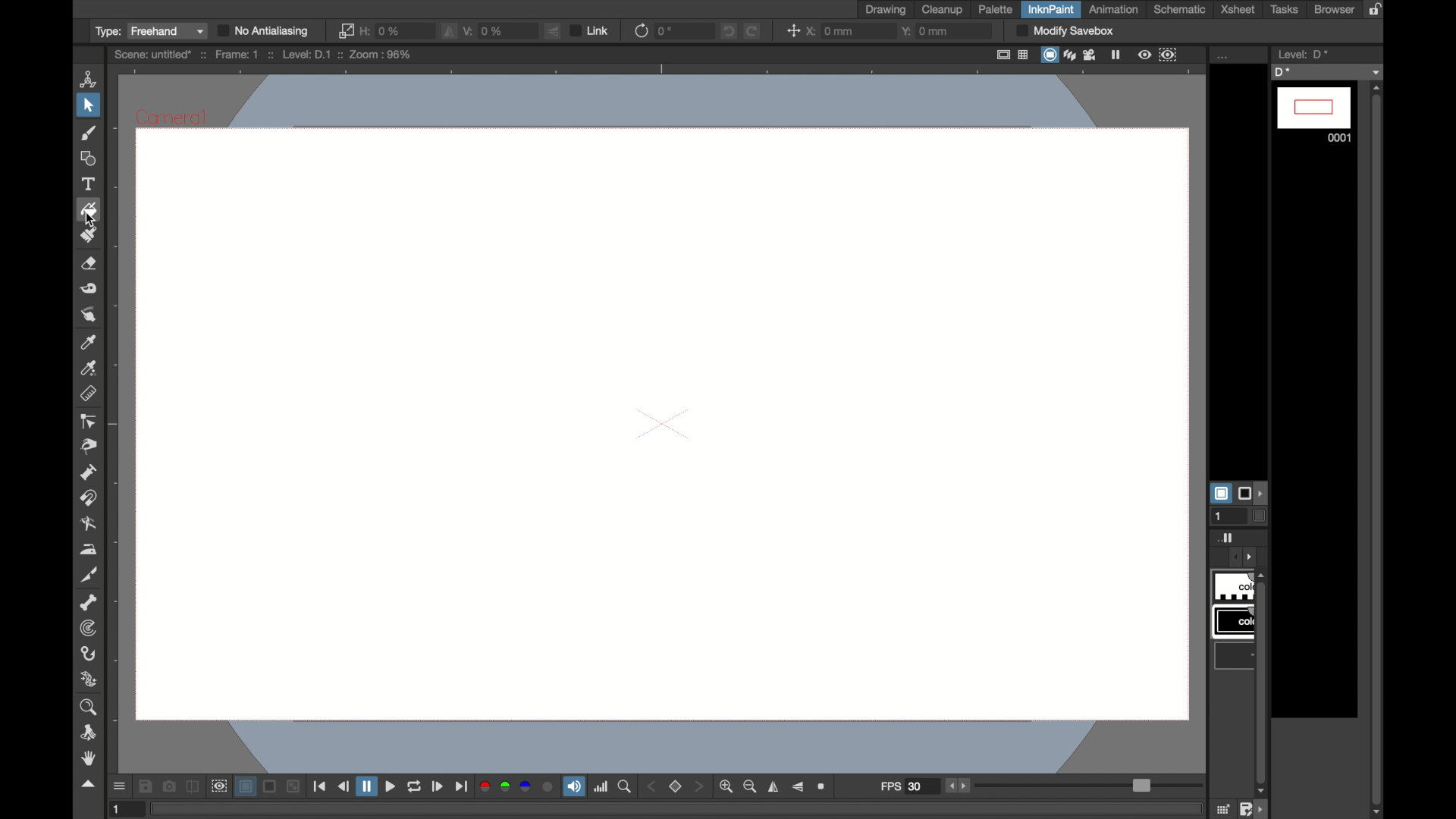 The height and width of the screenshot is (819, 1456). What do you see at coordinates (1301, 53) in the screenshot?
I see `level` at bounding box center [1301, 53].